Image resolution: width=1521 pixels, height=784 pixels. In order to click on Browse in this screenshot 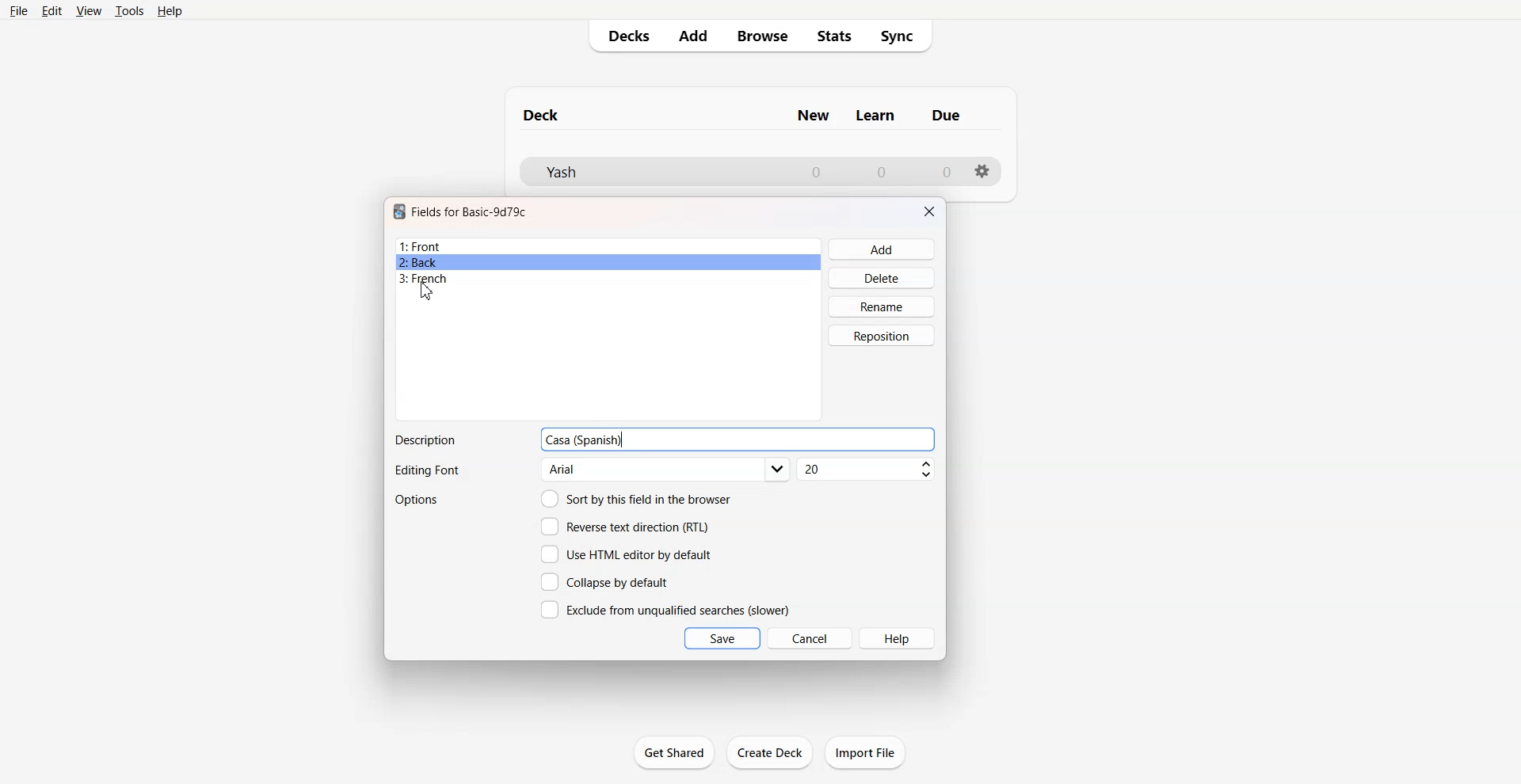, I will do `click(761, 36)`.